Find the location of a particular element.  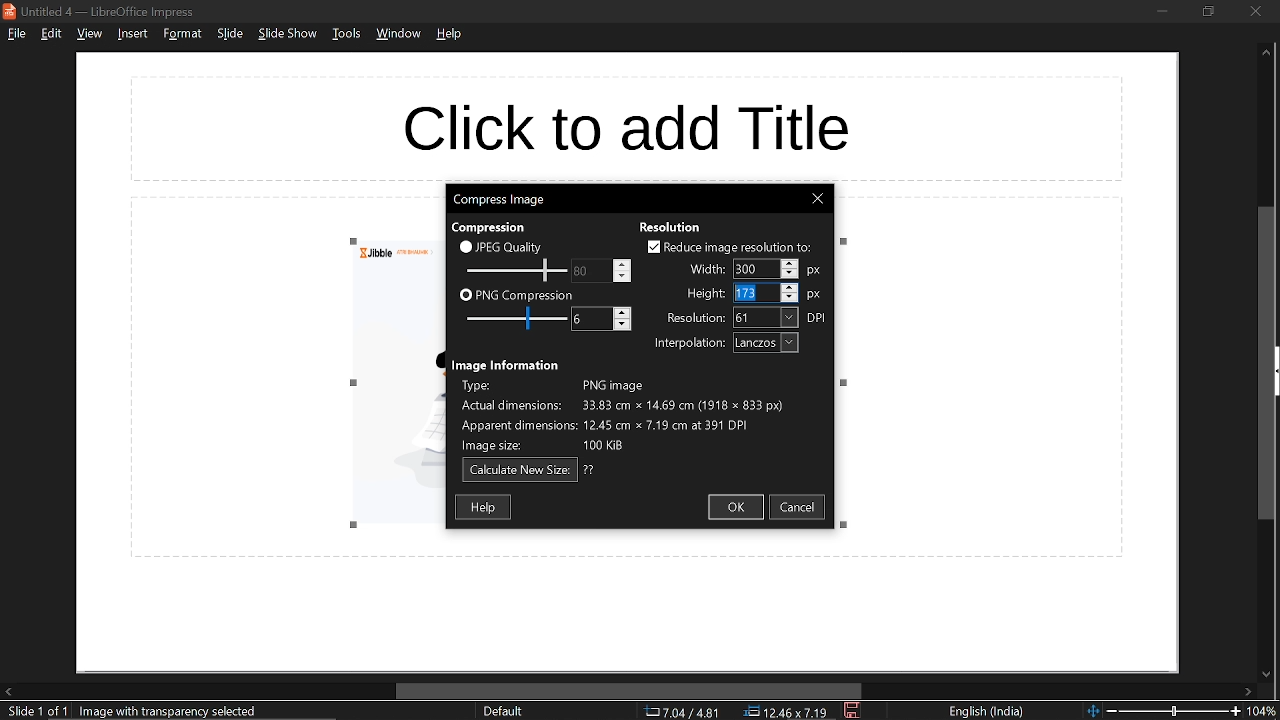

move left is located at coordinates (8, 692).